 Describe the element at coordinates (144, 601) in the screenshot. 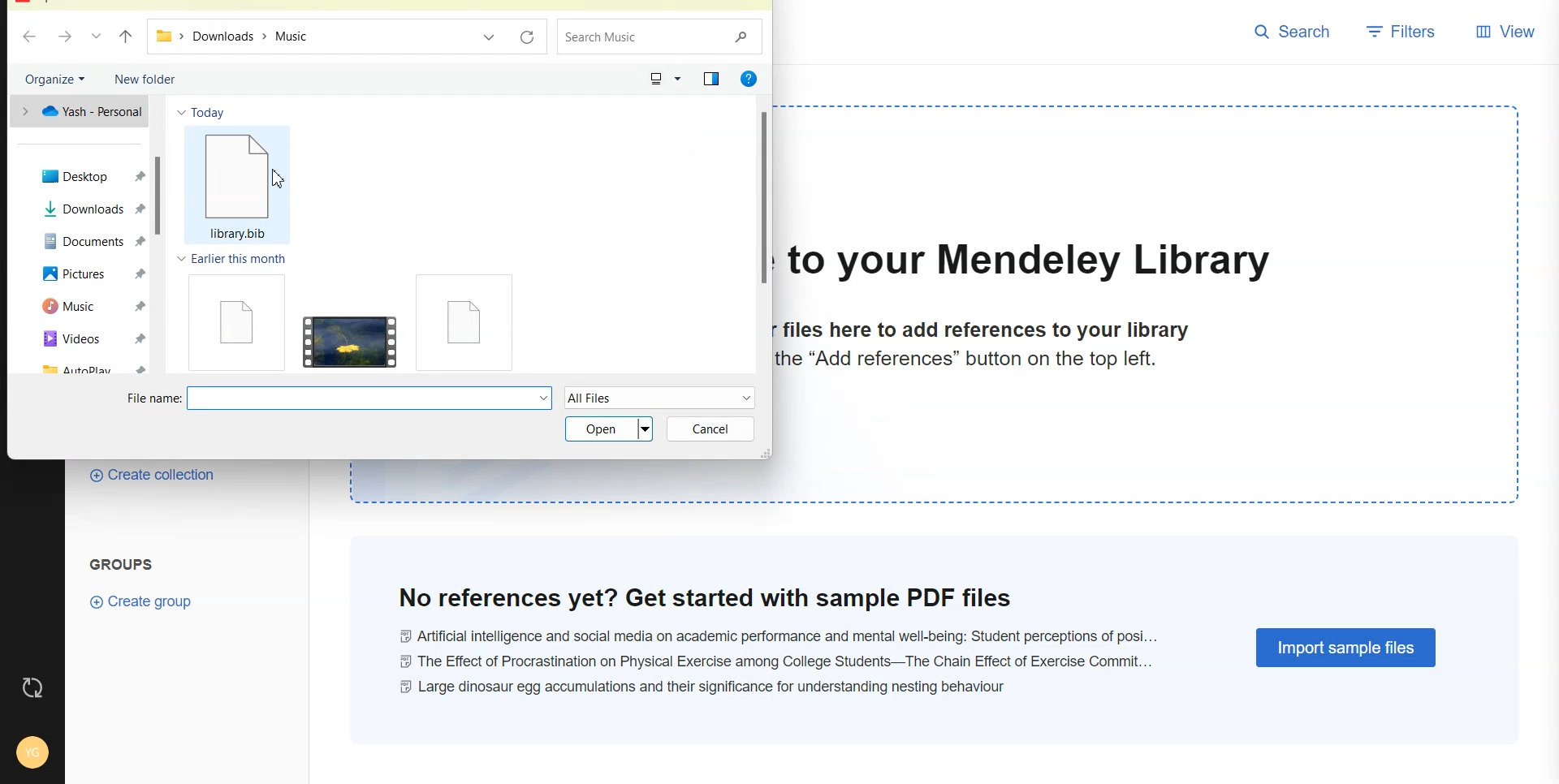

I see `Create Group` at that location.